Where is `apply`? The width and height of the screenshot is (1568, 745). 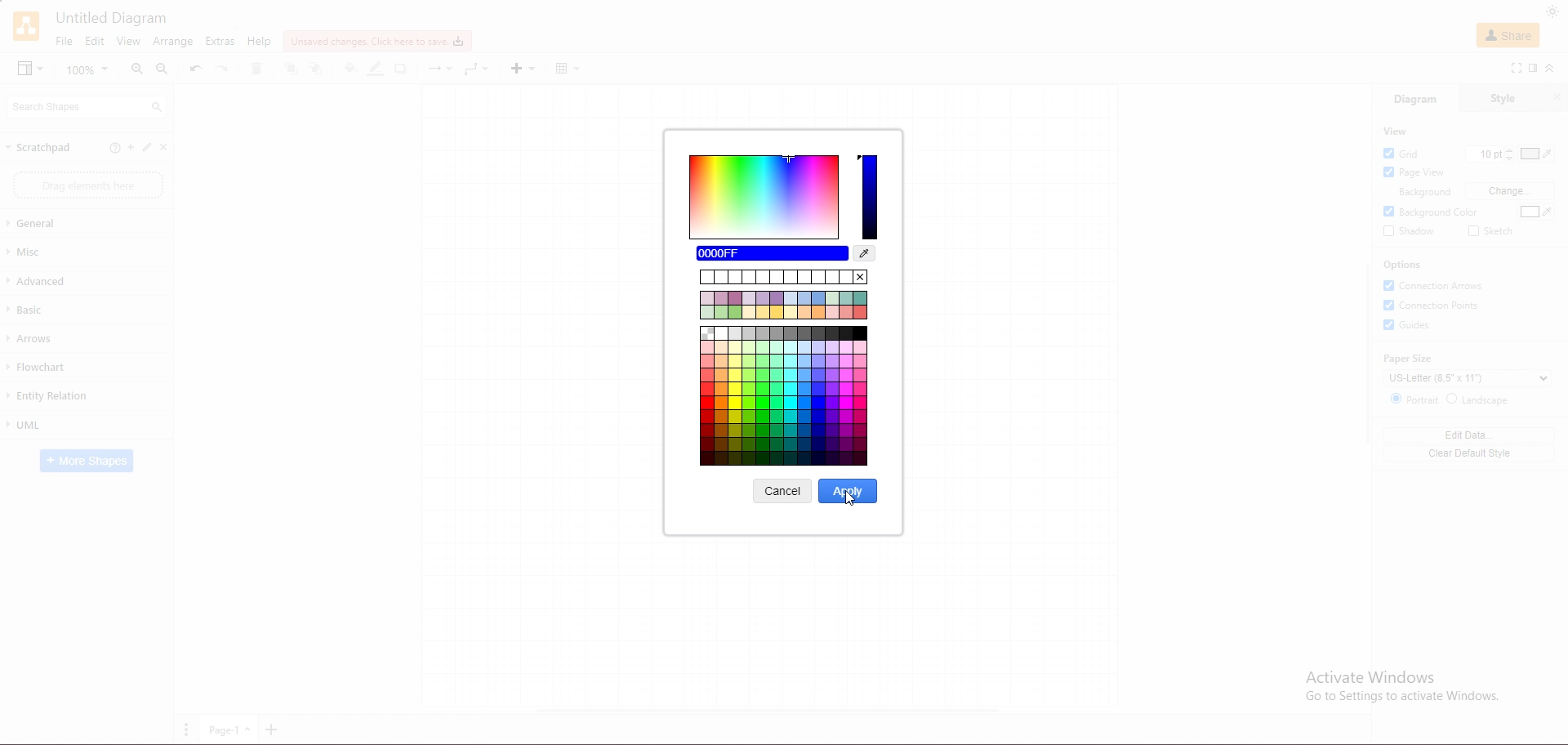 apply is located at coordinates (850, 492).